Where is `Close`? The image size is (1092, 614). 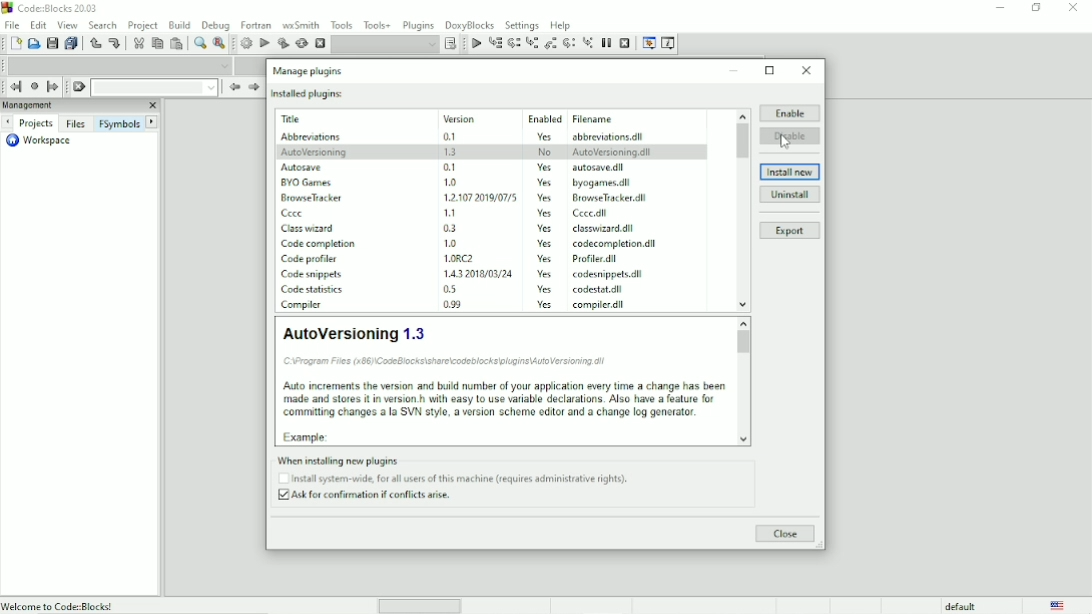 Close is located at coordinates (807, 70).